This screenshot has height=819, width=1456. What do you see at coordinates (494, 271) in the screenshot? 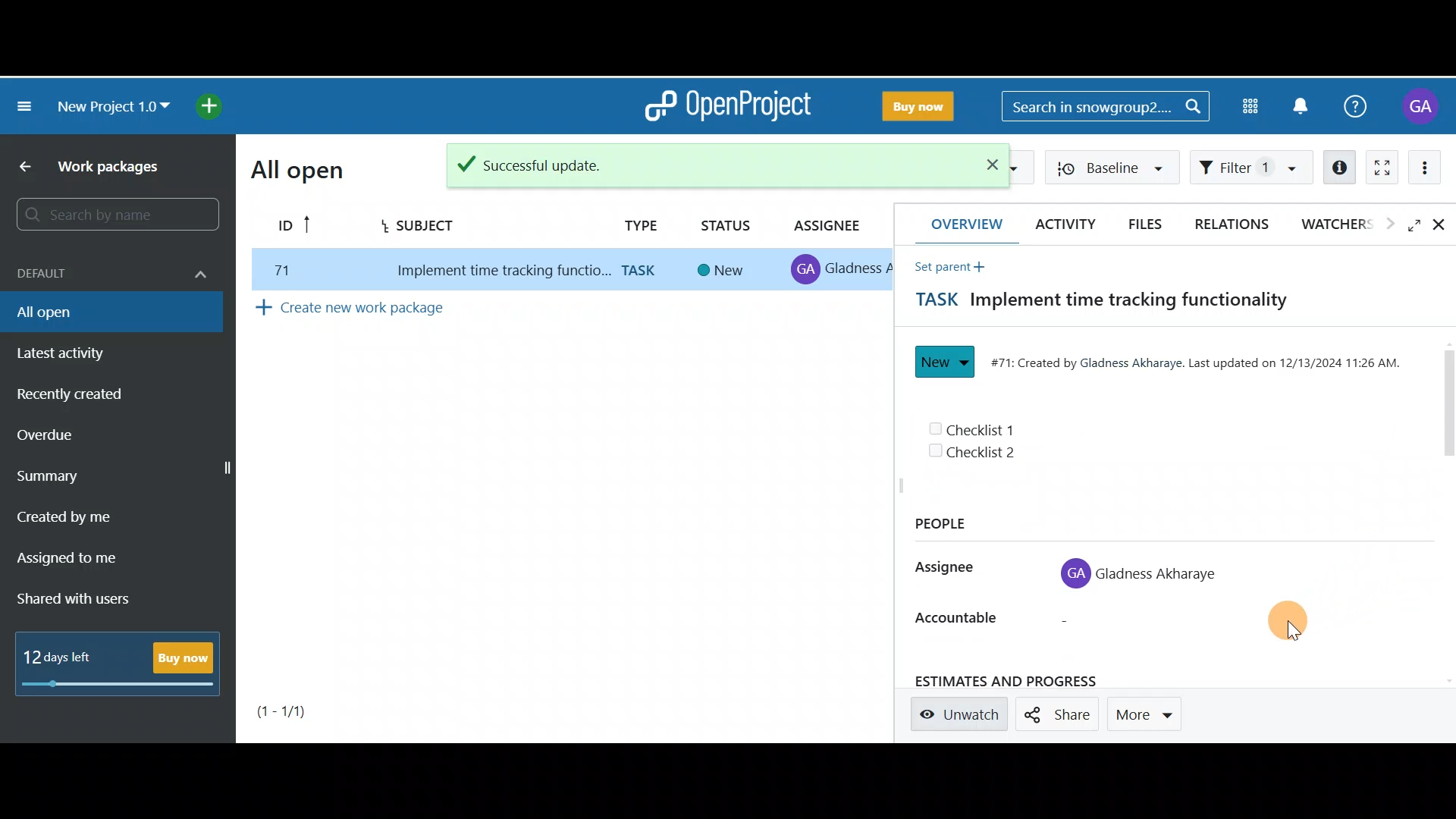
I see `implement time tracking function..` at bounding box center [494, 271].